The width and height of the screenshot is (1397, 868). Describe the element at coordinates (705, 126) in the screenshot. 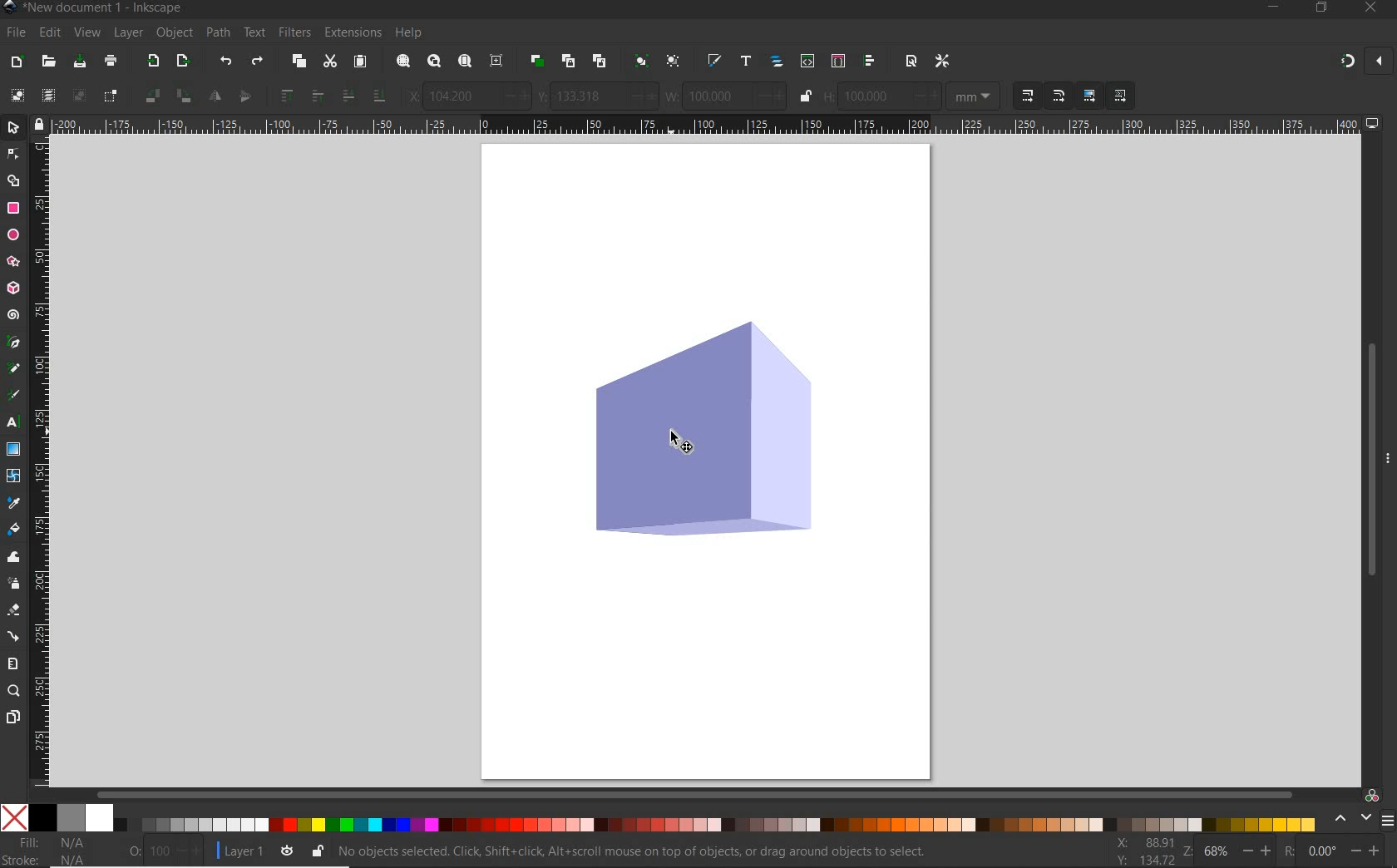

I see `RULER` at that location.